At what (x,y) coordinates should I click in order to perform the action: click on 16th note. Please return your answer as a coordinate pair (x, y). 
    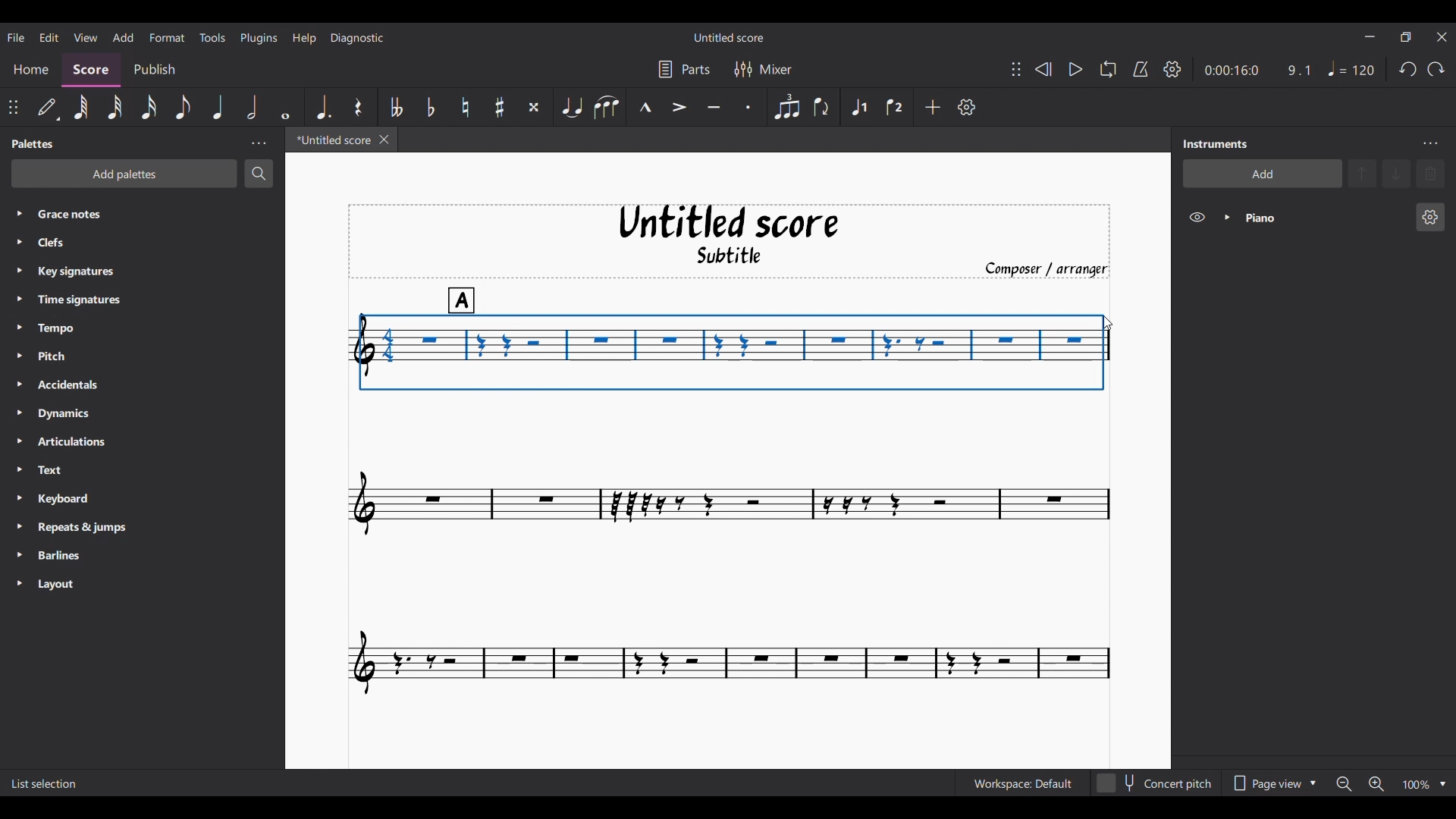
    Looking at the image, I should click on (149, 106).